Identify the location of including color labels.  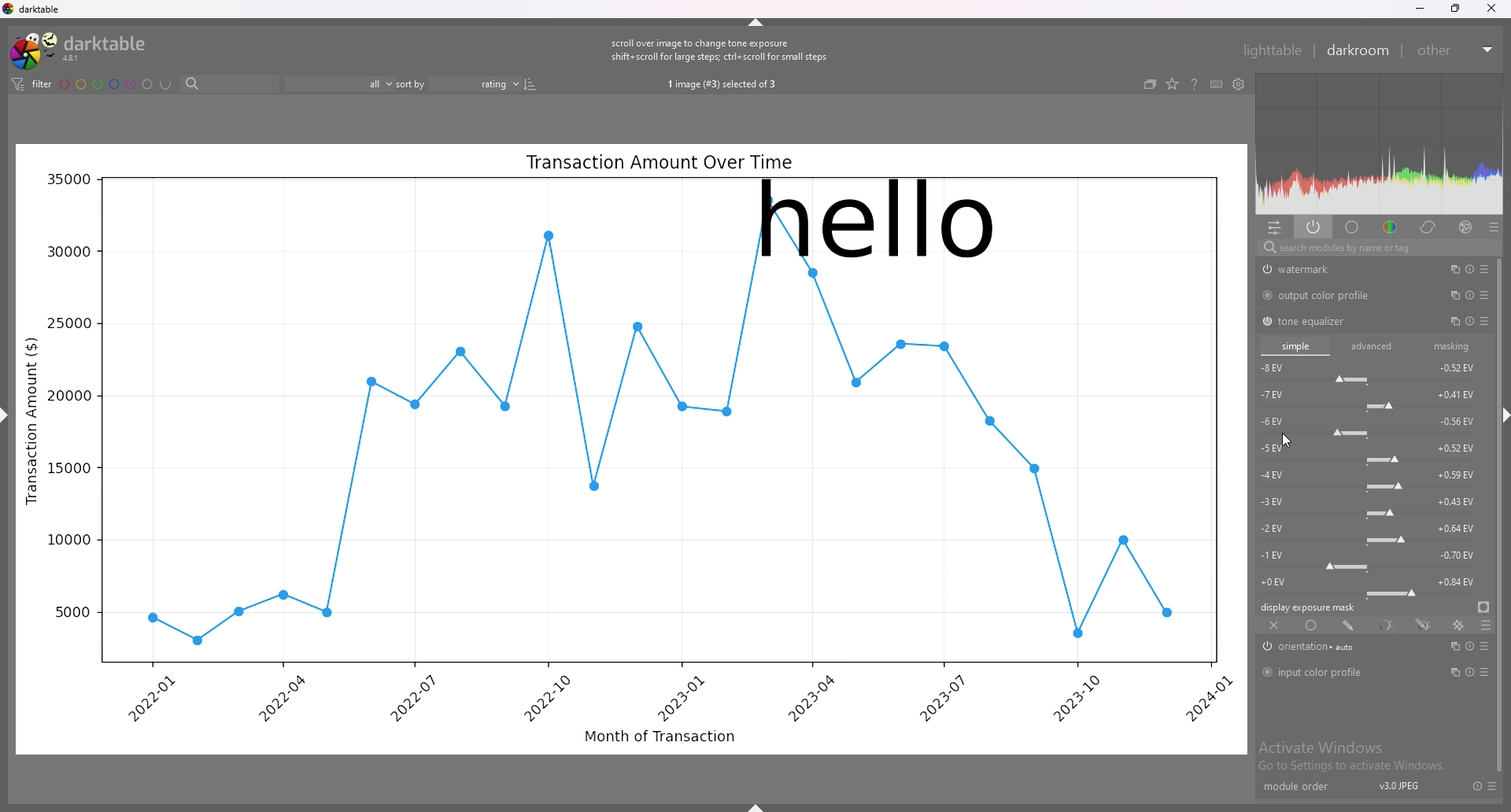
(166, 85).